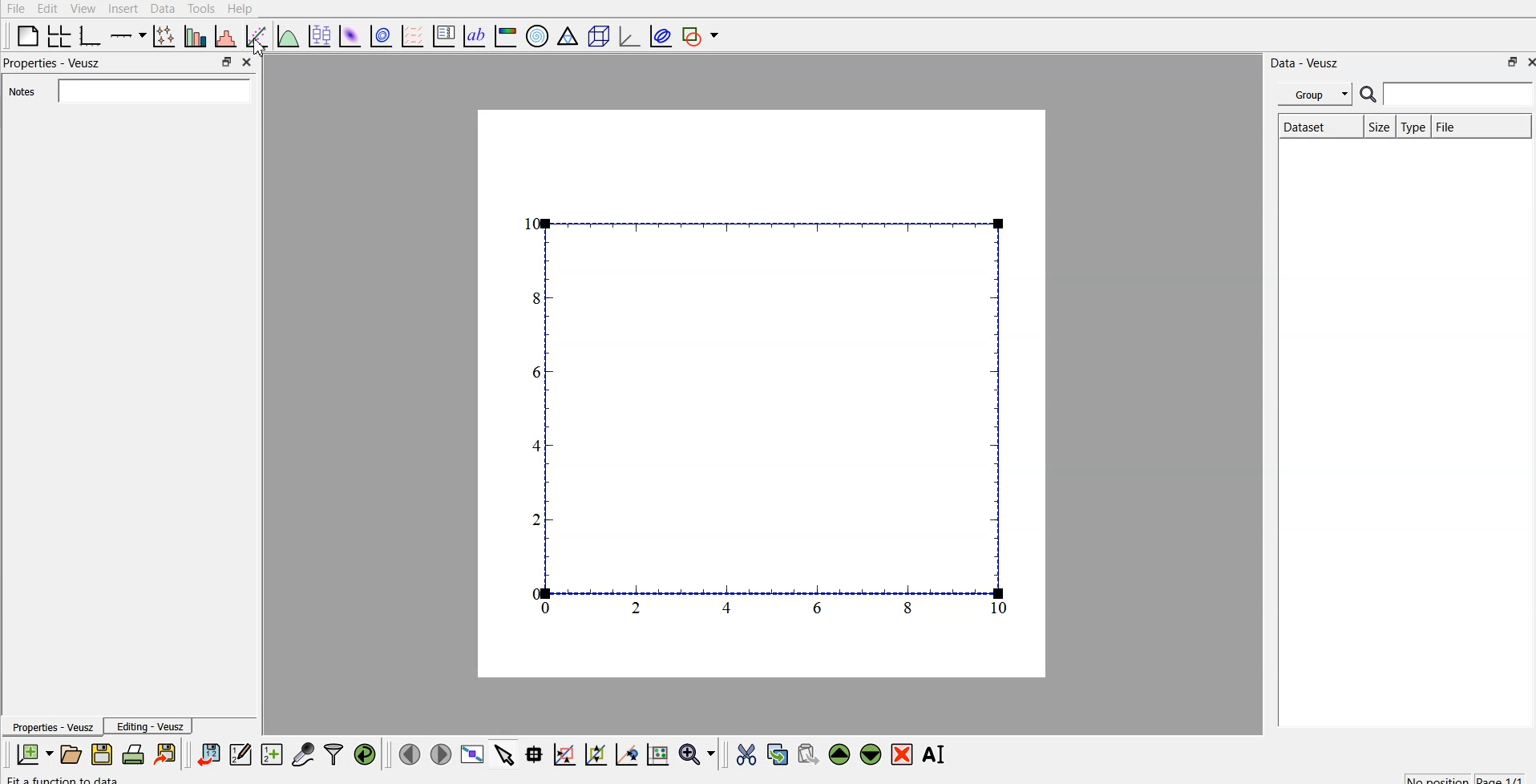  I want to click on reload linked data sets, so click(367, 755).